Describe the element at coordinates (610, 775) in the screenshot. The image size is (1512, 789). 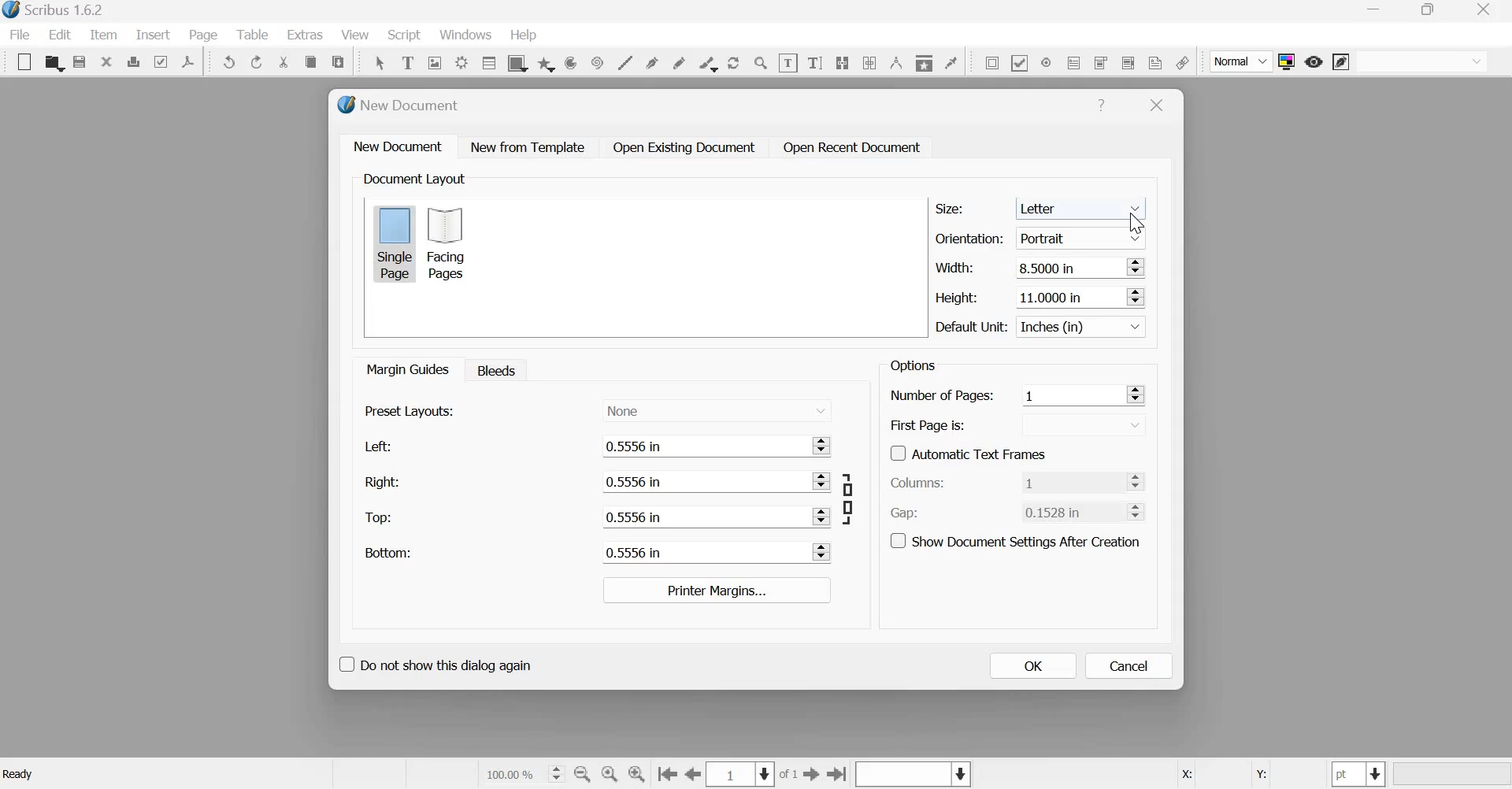
I see `zoom to 100 %` at that location.